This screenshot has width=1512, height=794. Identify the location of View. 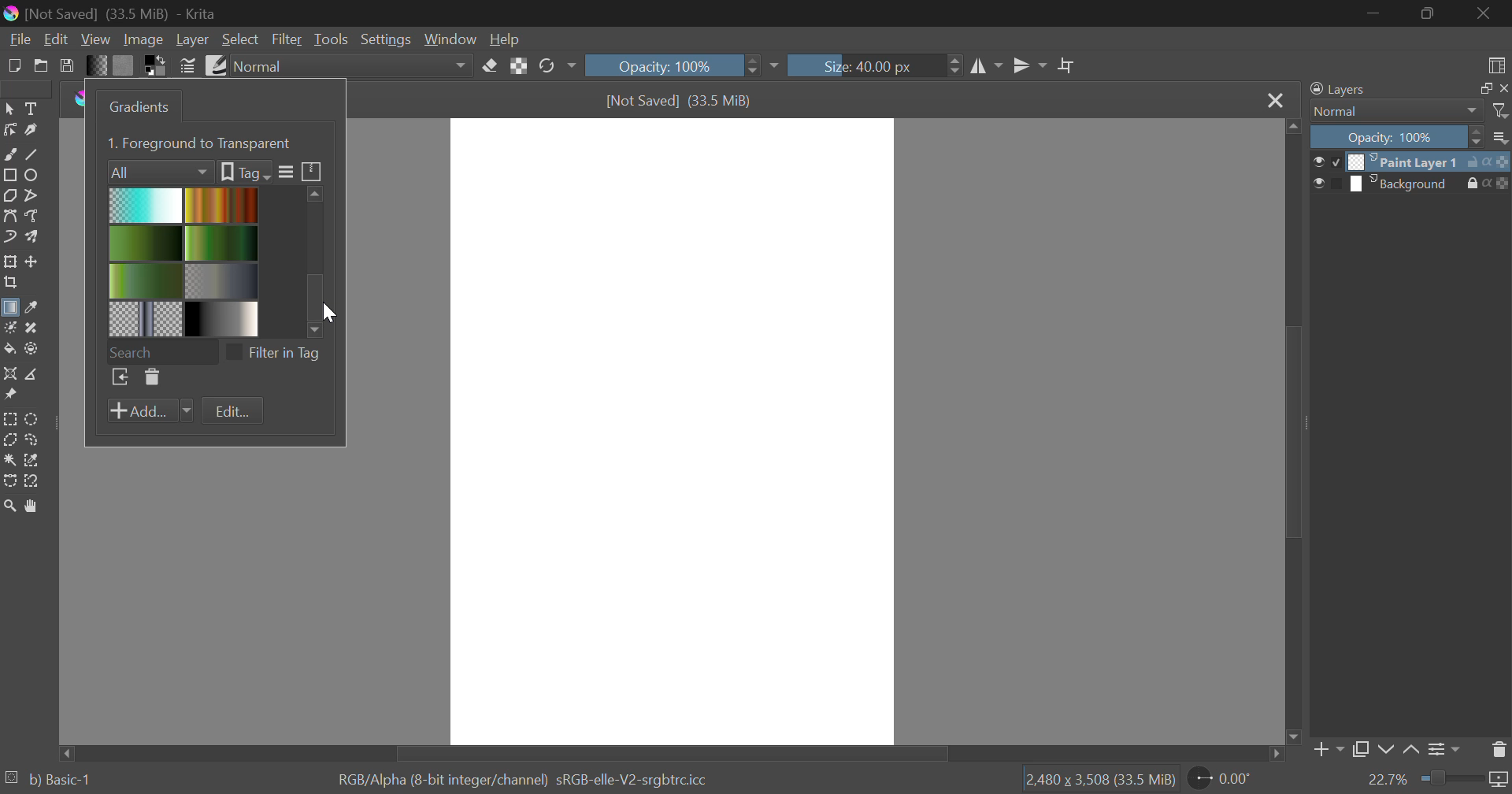
(96, 39).